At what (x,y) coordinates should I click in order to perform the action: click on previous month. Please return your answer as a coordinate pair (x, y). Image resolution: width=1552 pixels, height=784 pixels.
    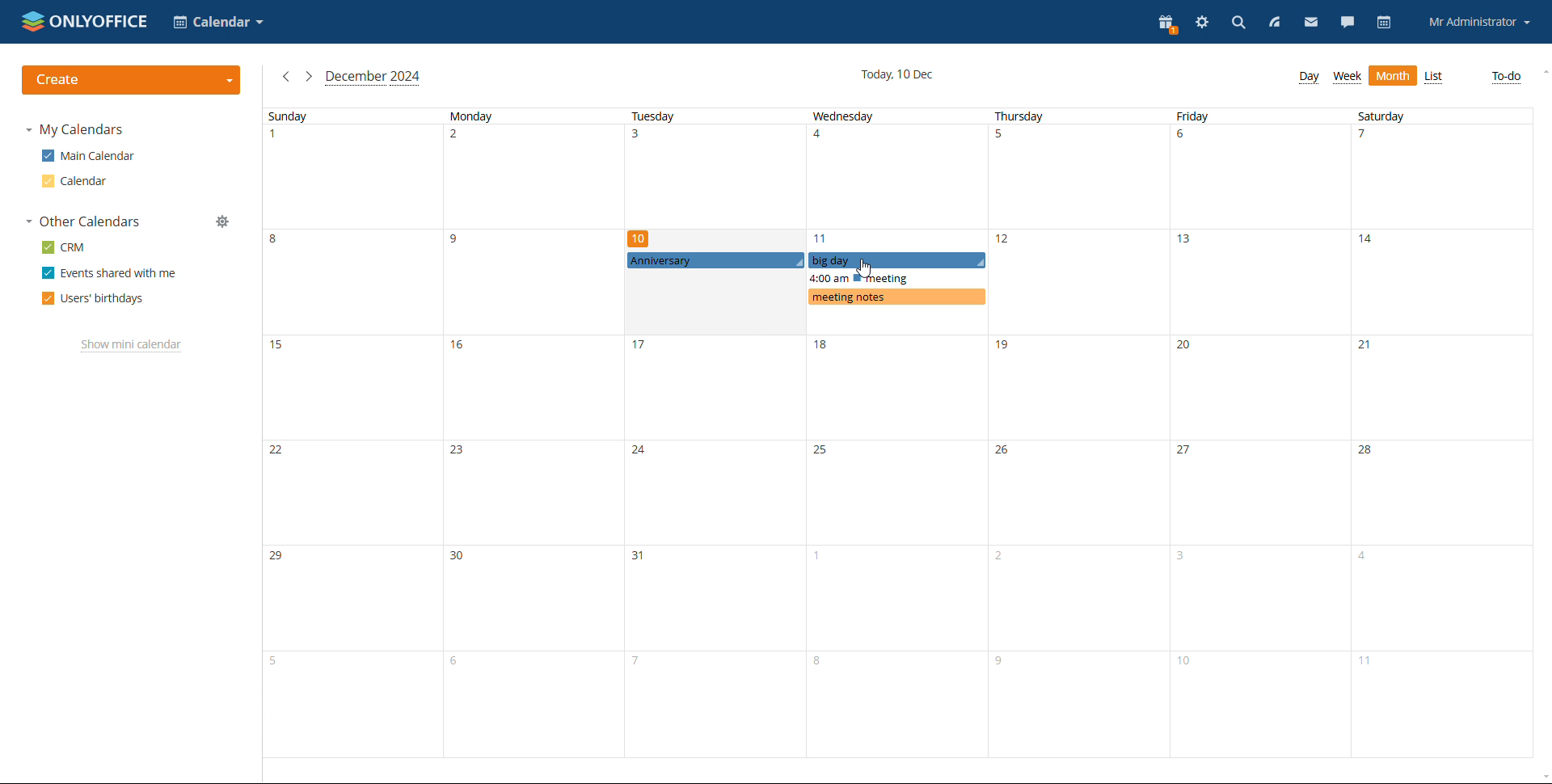
    Looking at the image, I should click on (285, 76).